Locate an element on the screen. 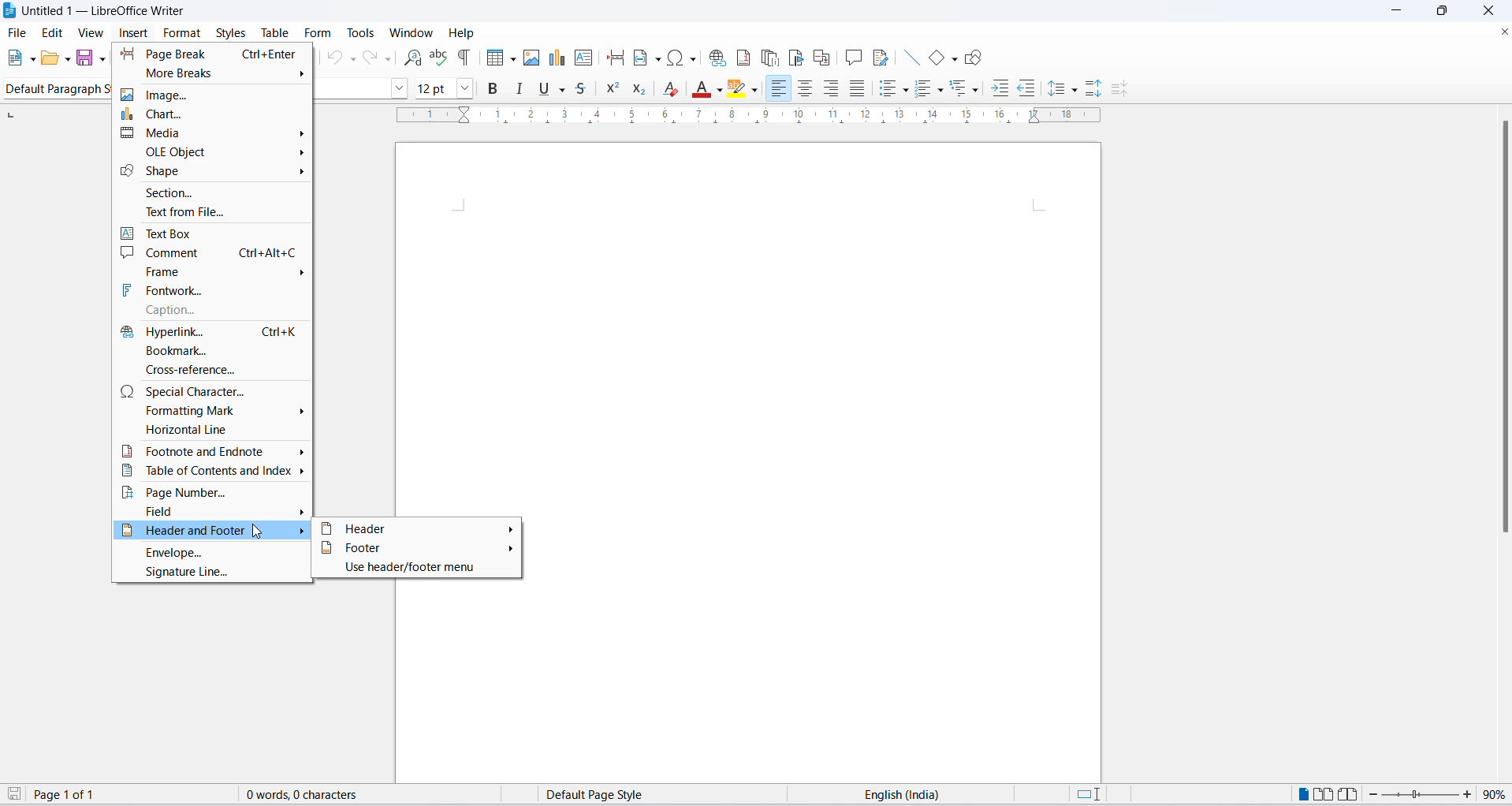 The height and width of the screenshot is (806, 1512). toggle formatting marks is located at coordinates (465, 57).